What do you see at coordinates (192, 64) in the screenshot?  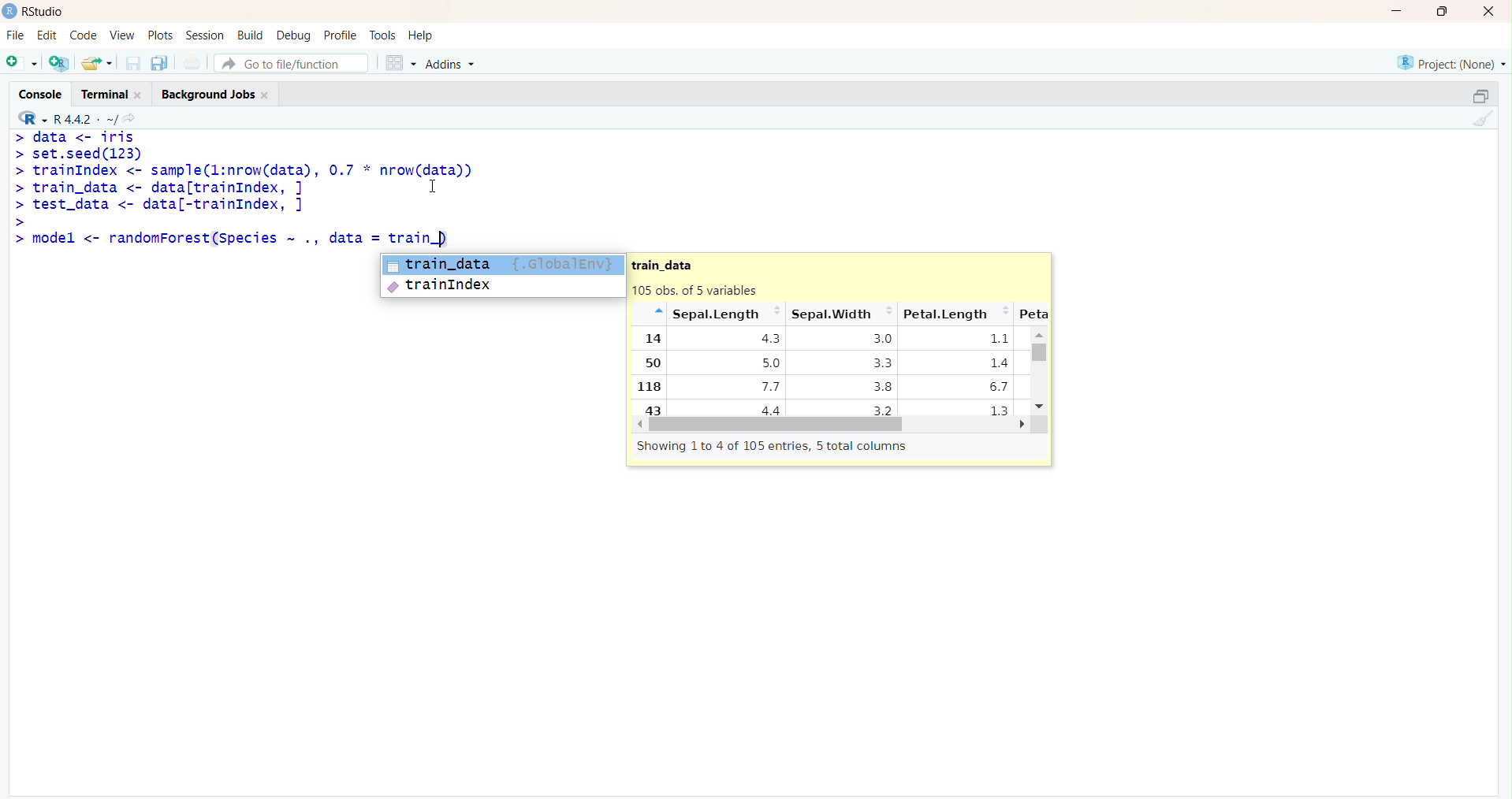 I see `Print the current file` at bounding box center [192, 64].